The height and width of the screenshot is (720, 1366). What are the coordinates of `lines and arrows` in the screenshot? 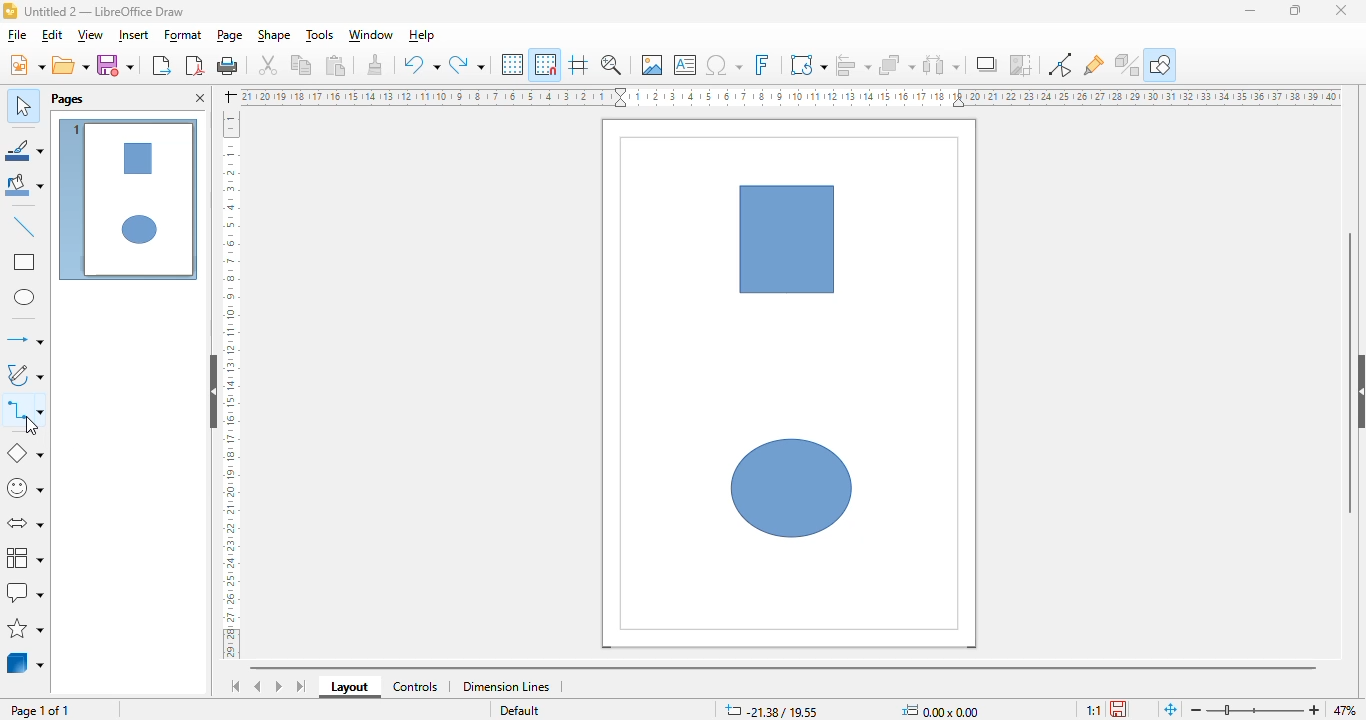 It's located at (24, 339).